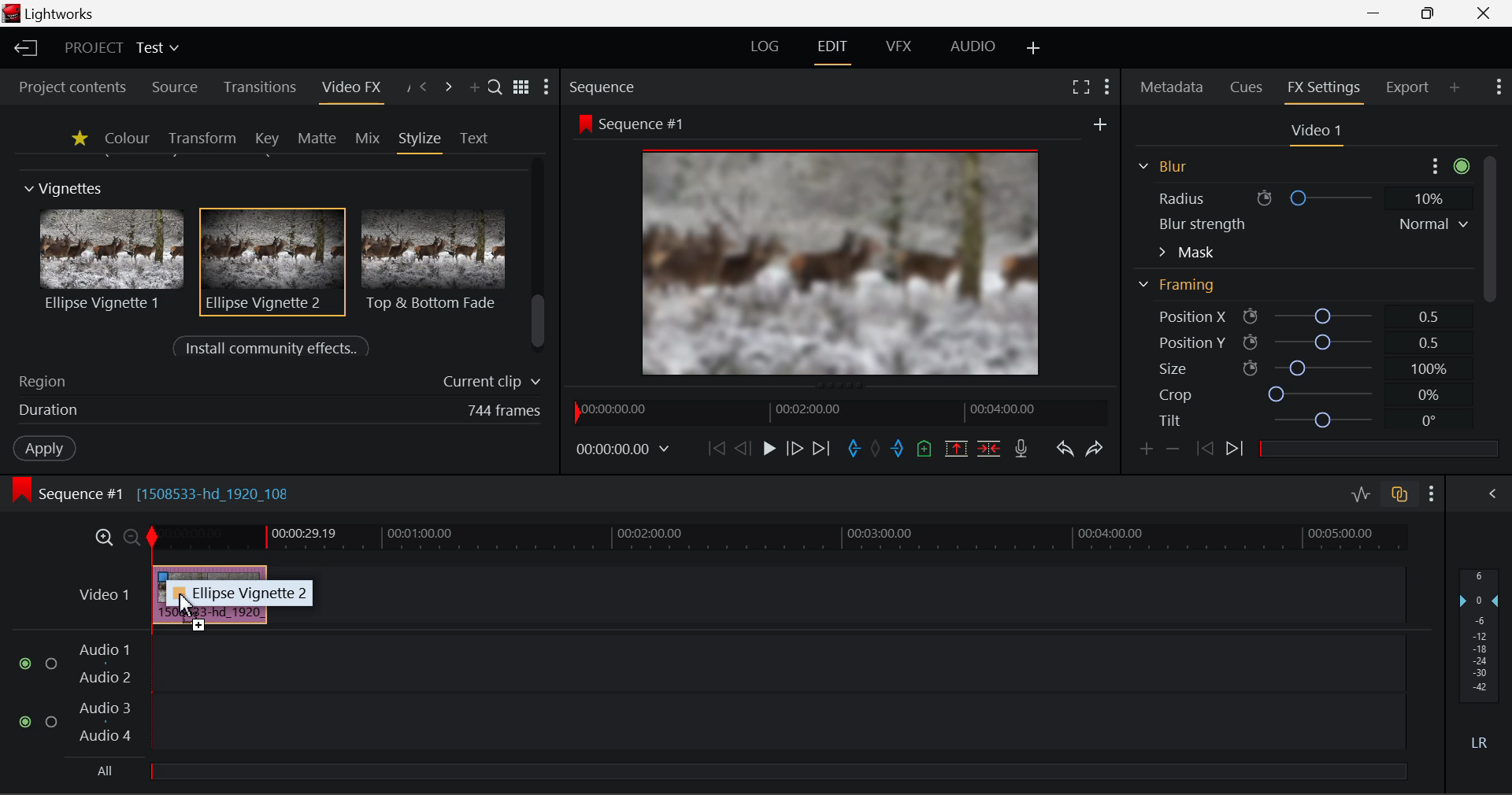 The width and height of the screenshot is (1512, 795). I want to click on Install community effects, so click(275, 349).